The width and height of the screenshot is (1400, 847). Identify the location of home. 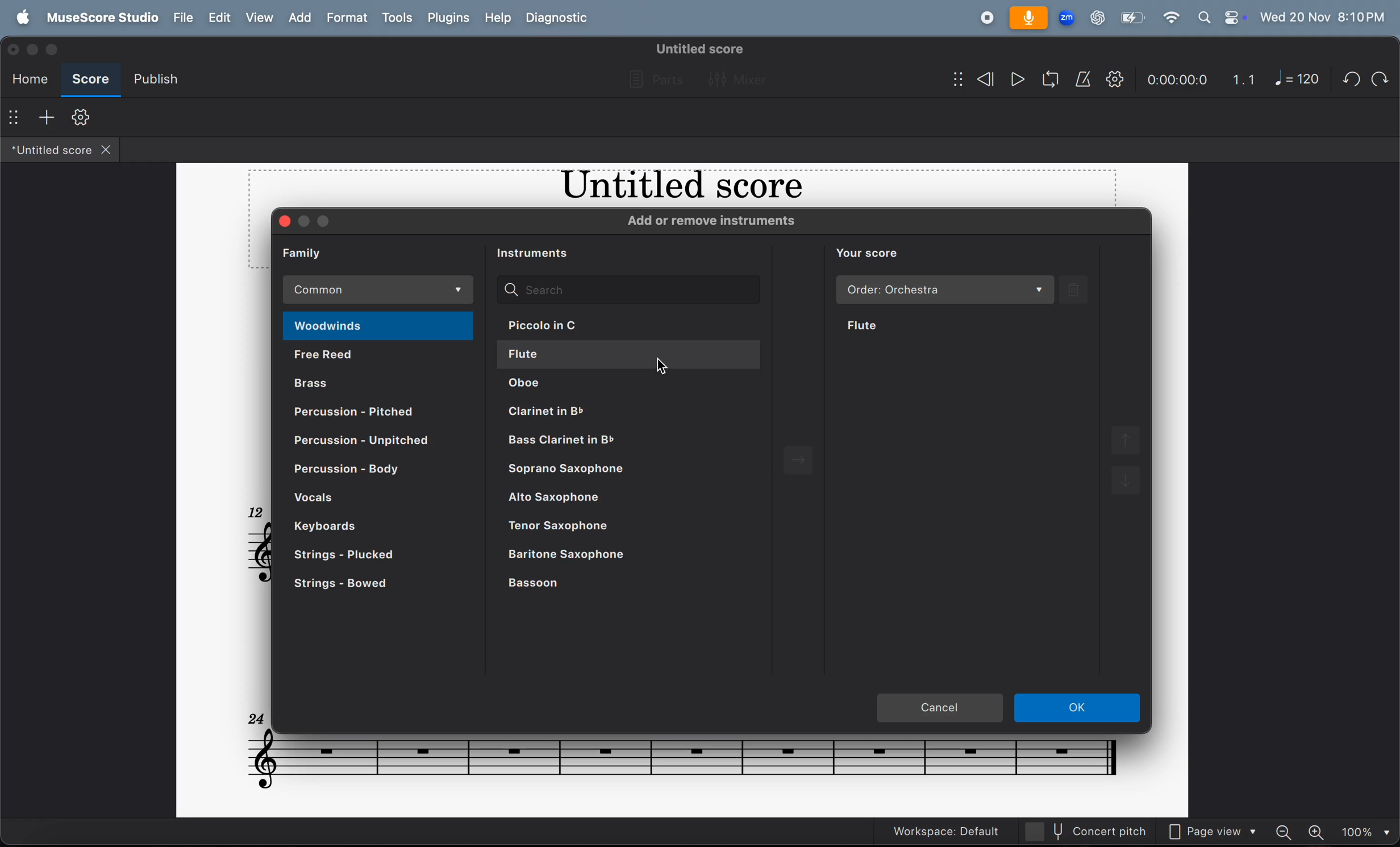
(31, 78).